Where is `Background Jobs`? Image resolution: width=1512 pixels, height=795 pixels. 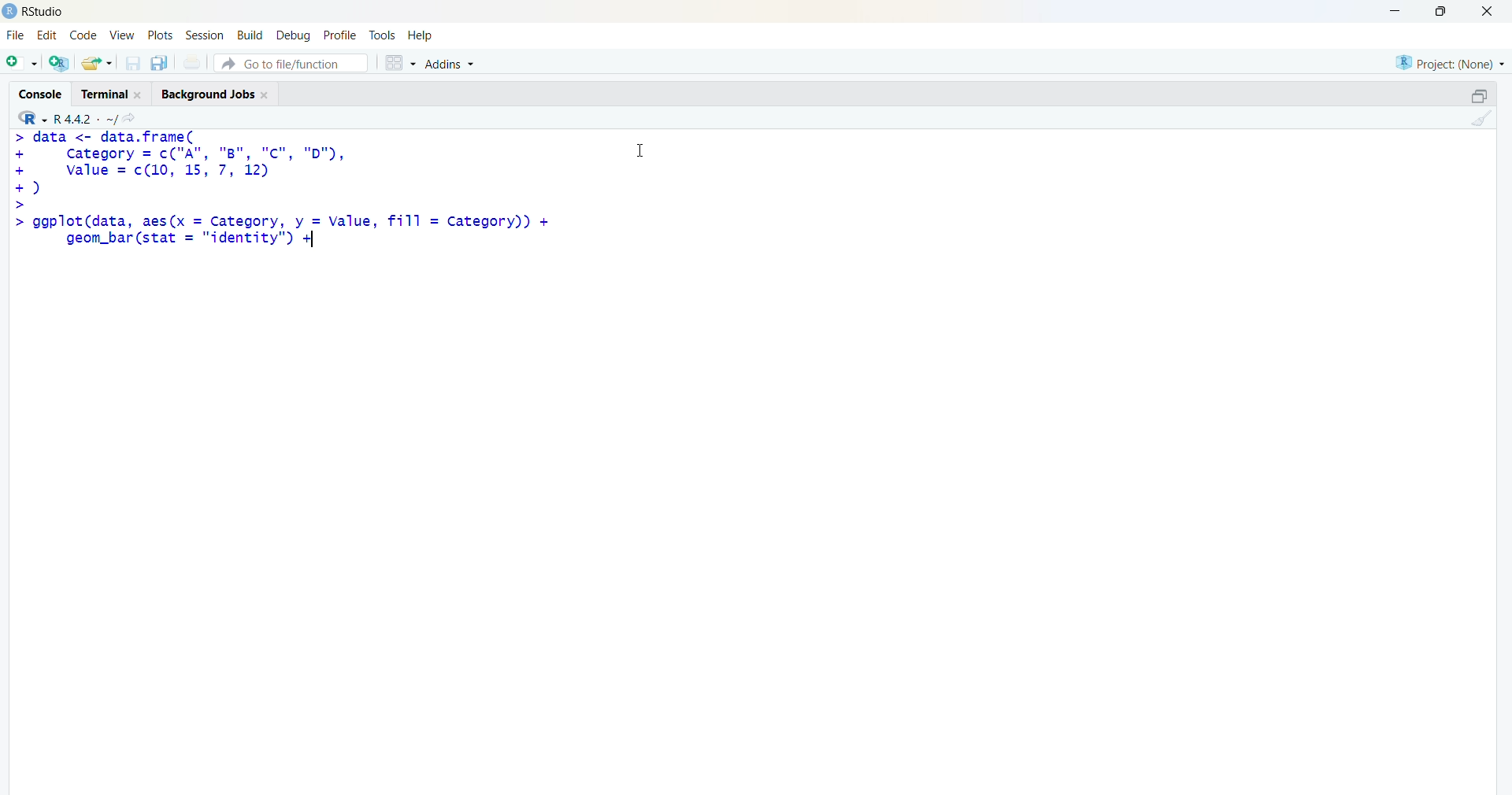 Background Jobs is located at coordinates (214, 91).